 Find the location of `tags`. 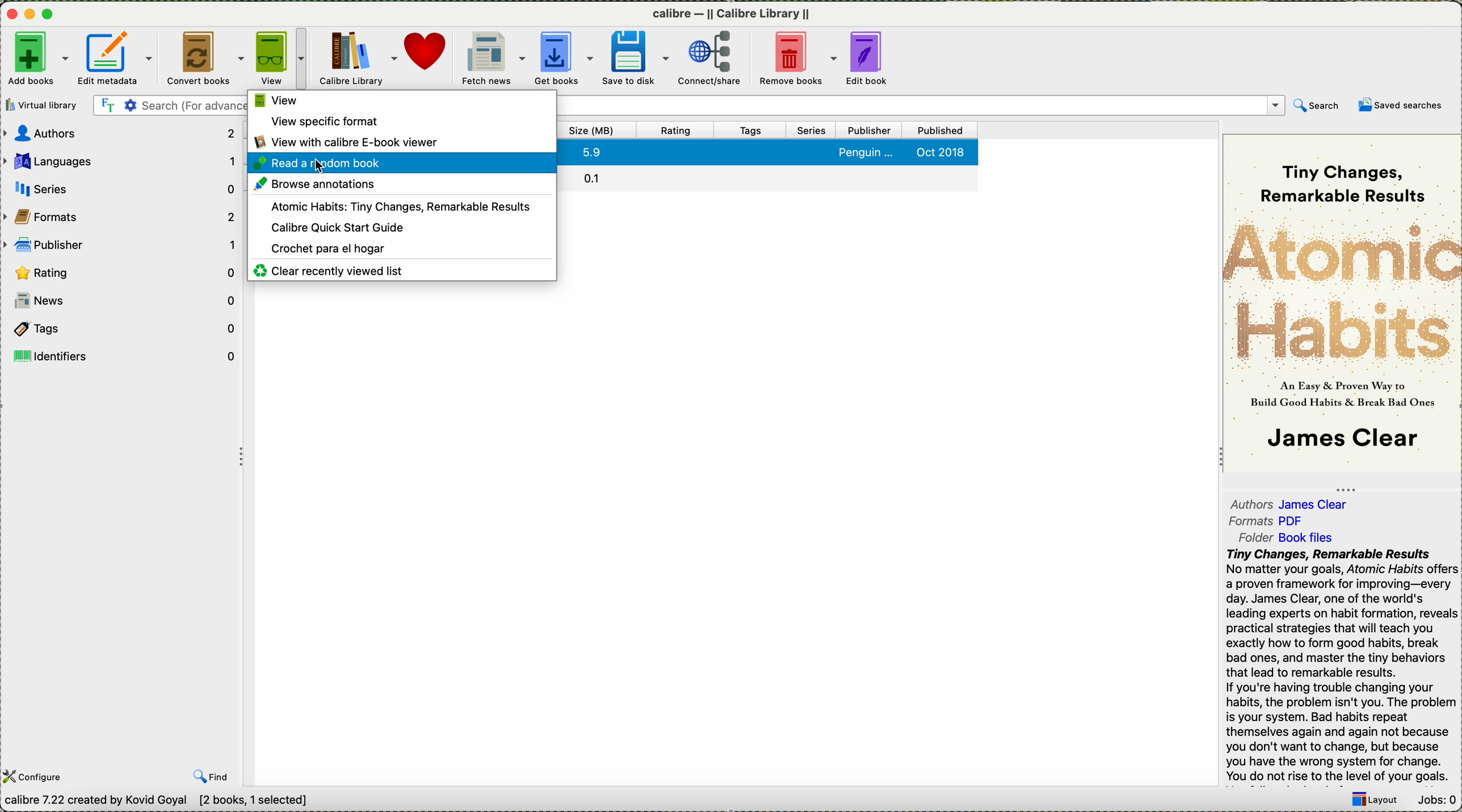

tags is located at coordinates (125, 330).